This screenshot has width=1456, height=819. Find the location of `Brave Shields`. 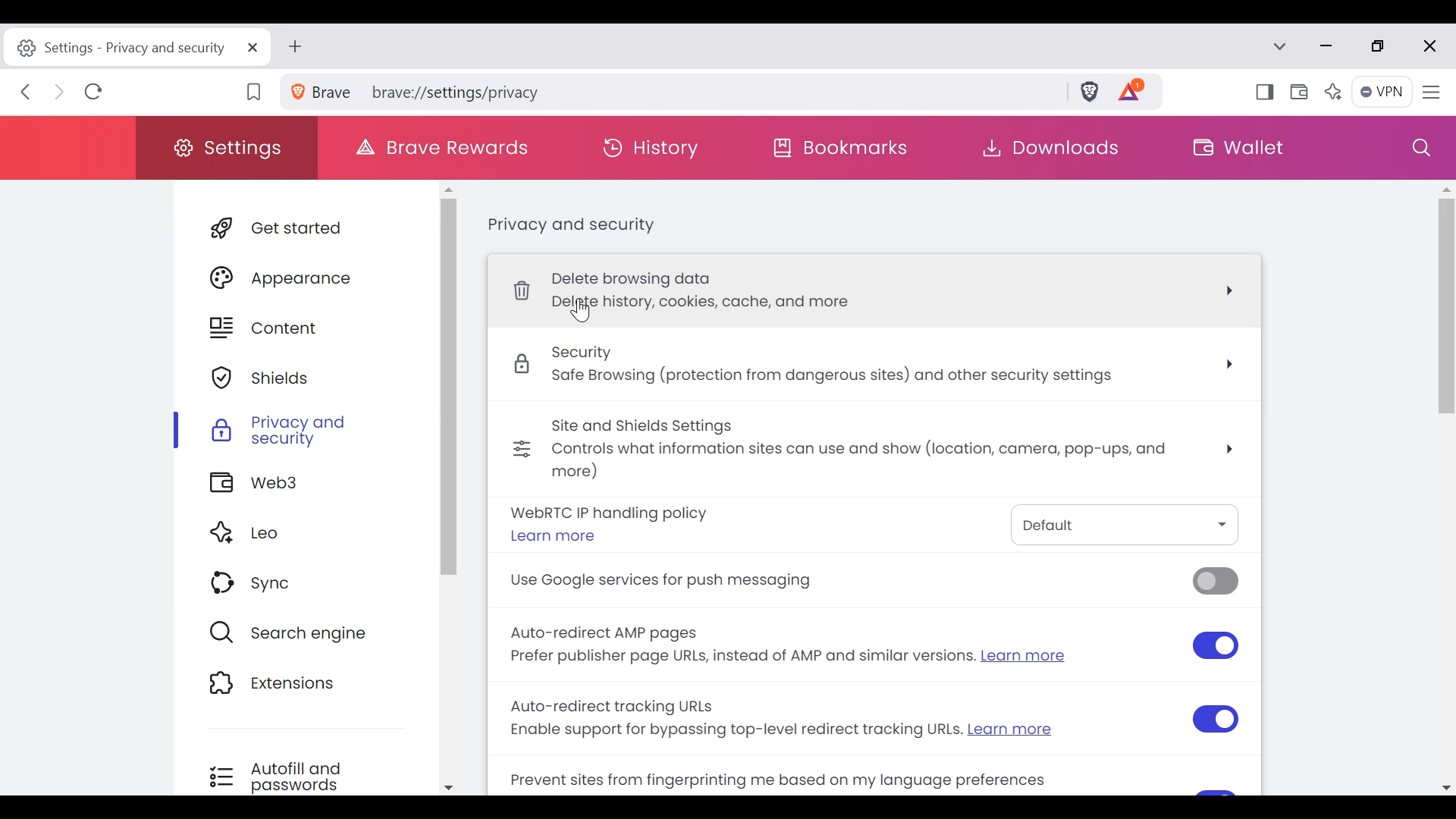

Brave Shields is located at coordinates (1094, 93).